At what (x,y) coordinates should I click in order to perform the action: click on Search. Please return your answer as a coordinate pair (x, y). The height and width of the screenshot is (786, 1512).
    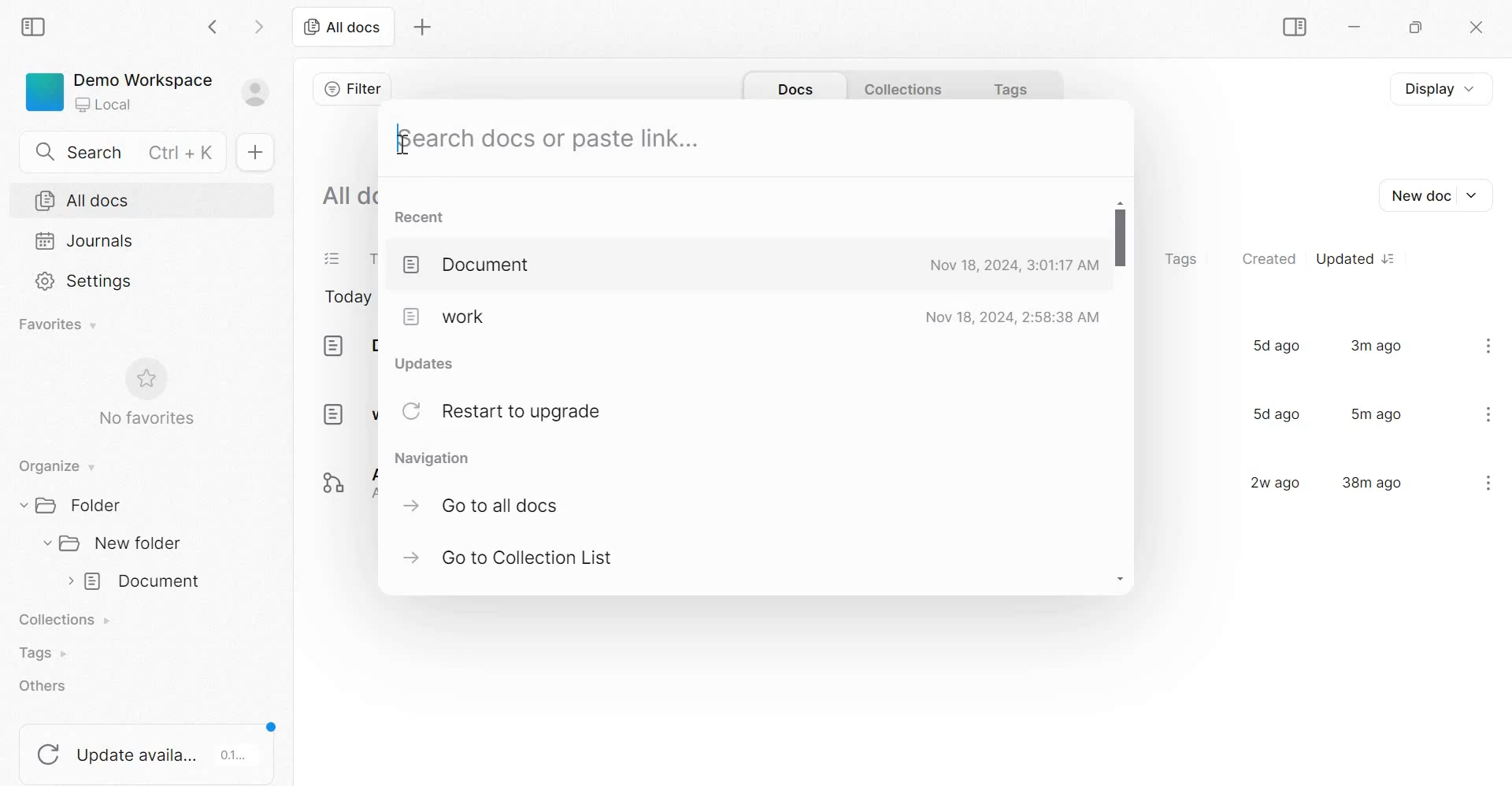
    Looking at the image, I should click on (129, 150).